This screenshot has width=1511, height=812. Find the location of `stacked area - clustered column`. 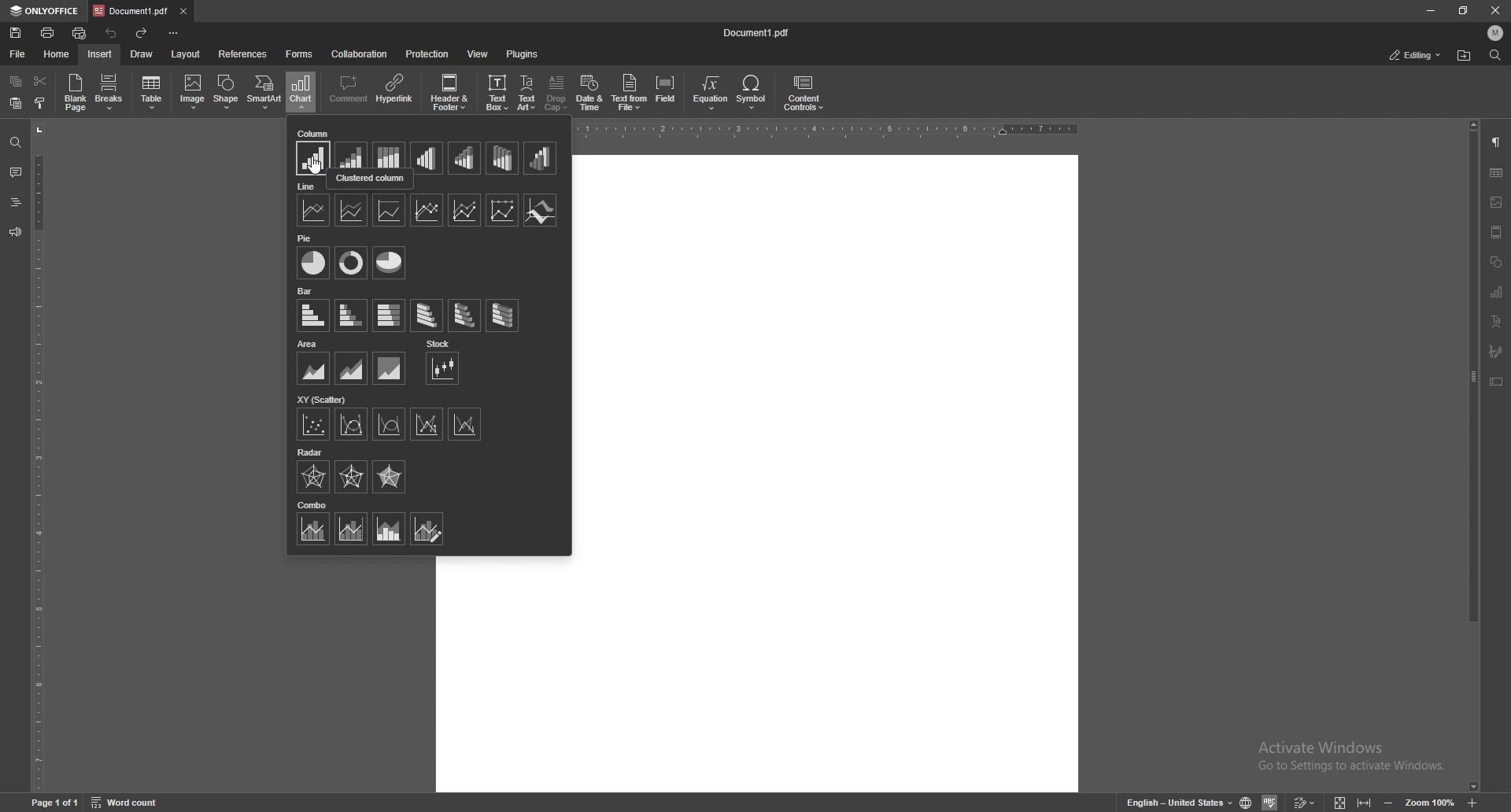

stacked area - clustered column is located at coordinates (390, 529).